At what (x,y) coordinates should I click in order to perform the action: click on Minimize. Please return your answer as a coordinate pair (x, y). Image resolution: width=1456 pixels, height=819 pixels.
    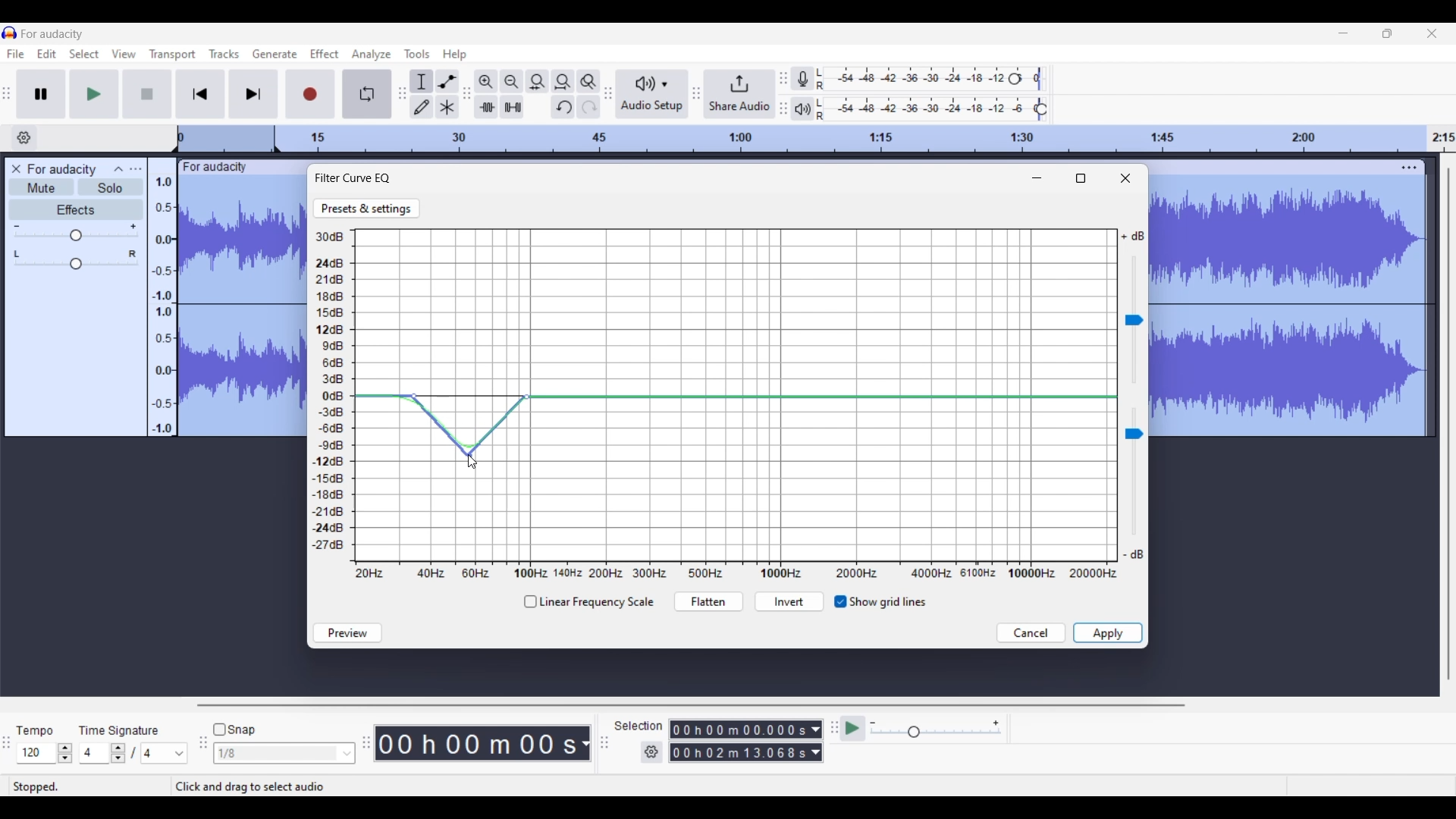
    Looking at the image, I should click on (1342, 33).